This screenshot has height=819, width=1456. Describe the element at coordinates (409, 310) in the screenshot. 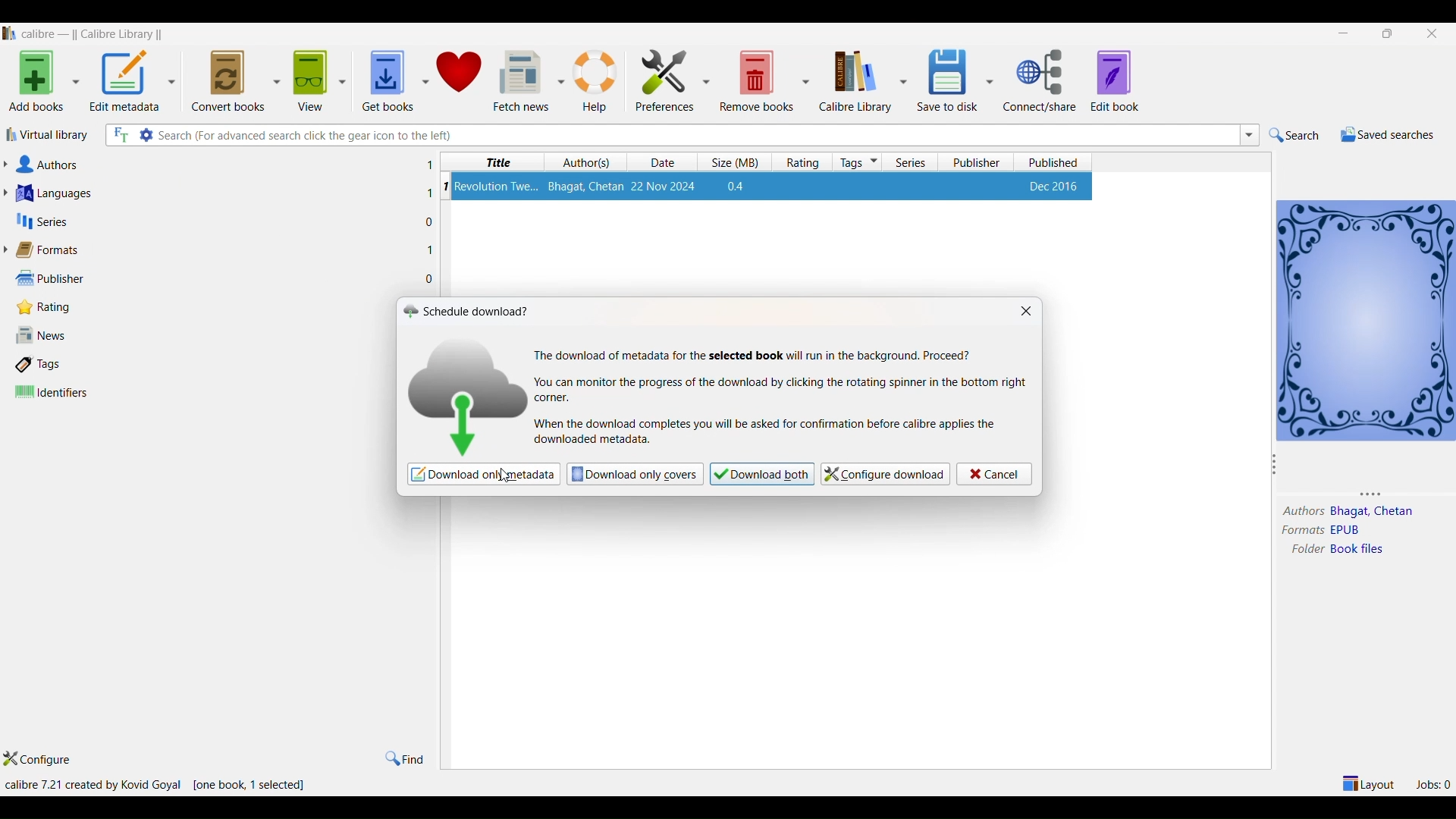

I see `logo` at that location.